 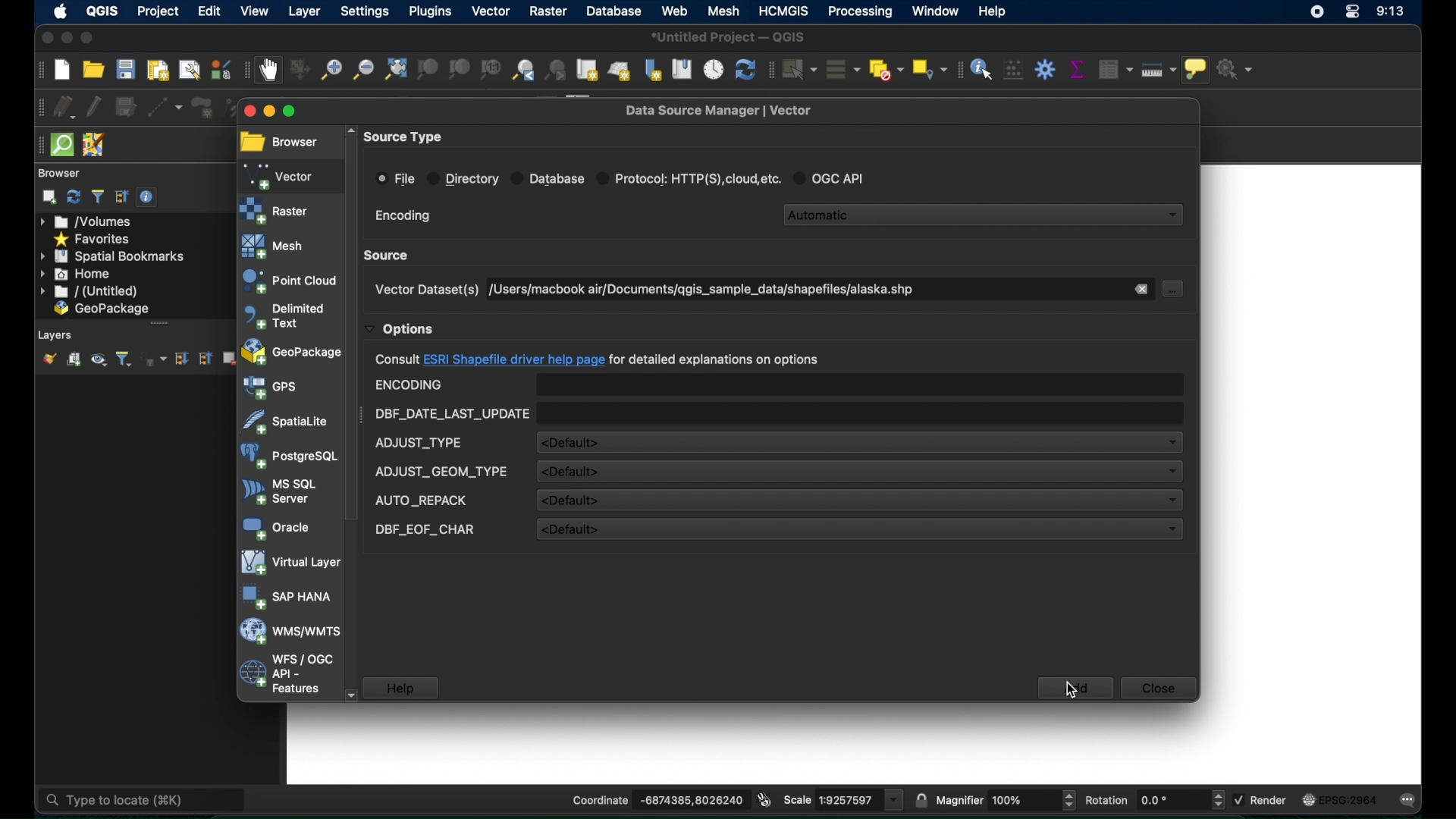 I want to click on empty field, so click(x=860, y=384).